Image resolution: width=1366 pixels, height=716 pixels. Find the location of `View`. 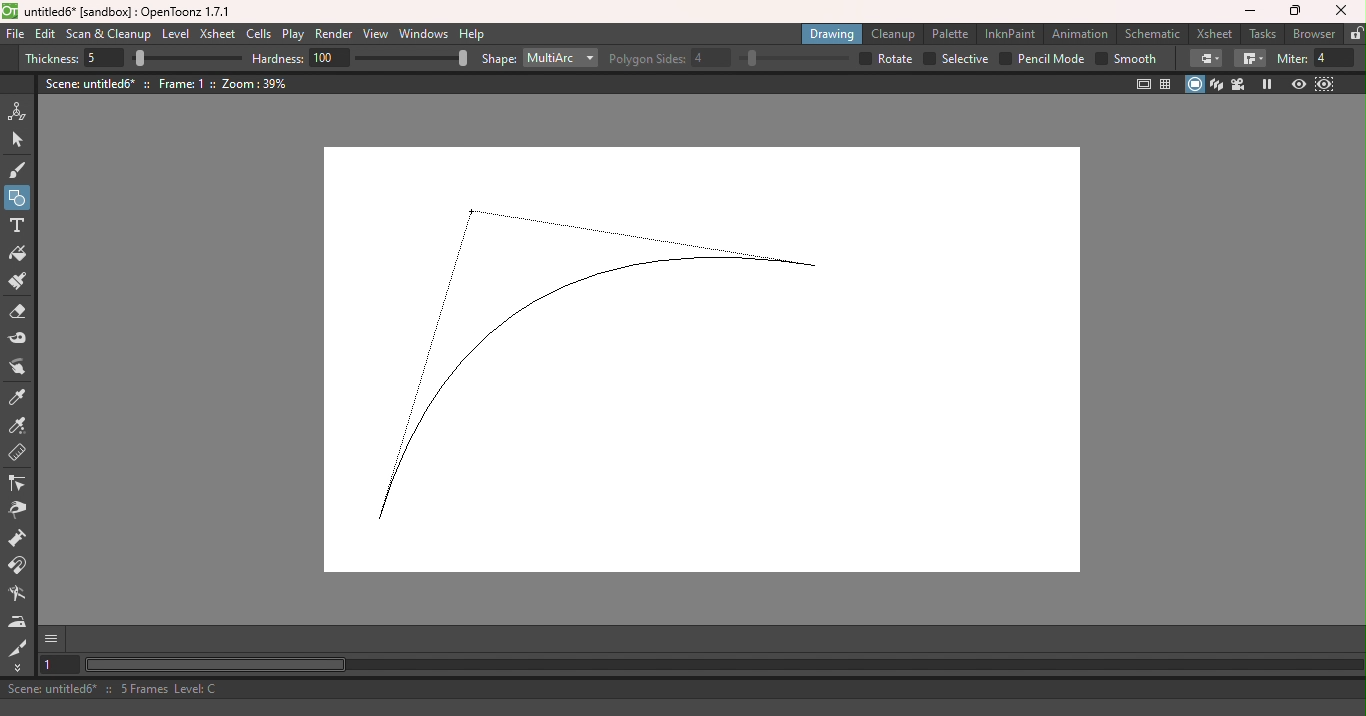

View is located at coordinates (376, 34).